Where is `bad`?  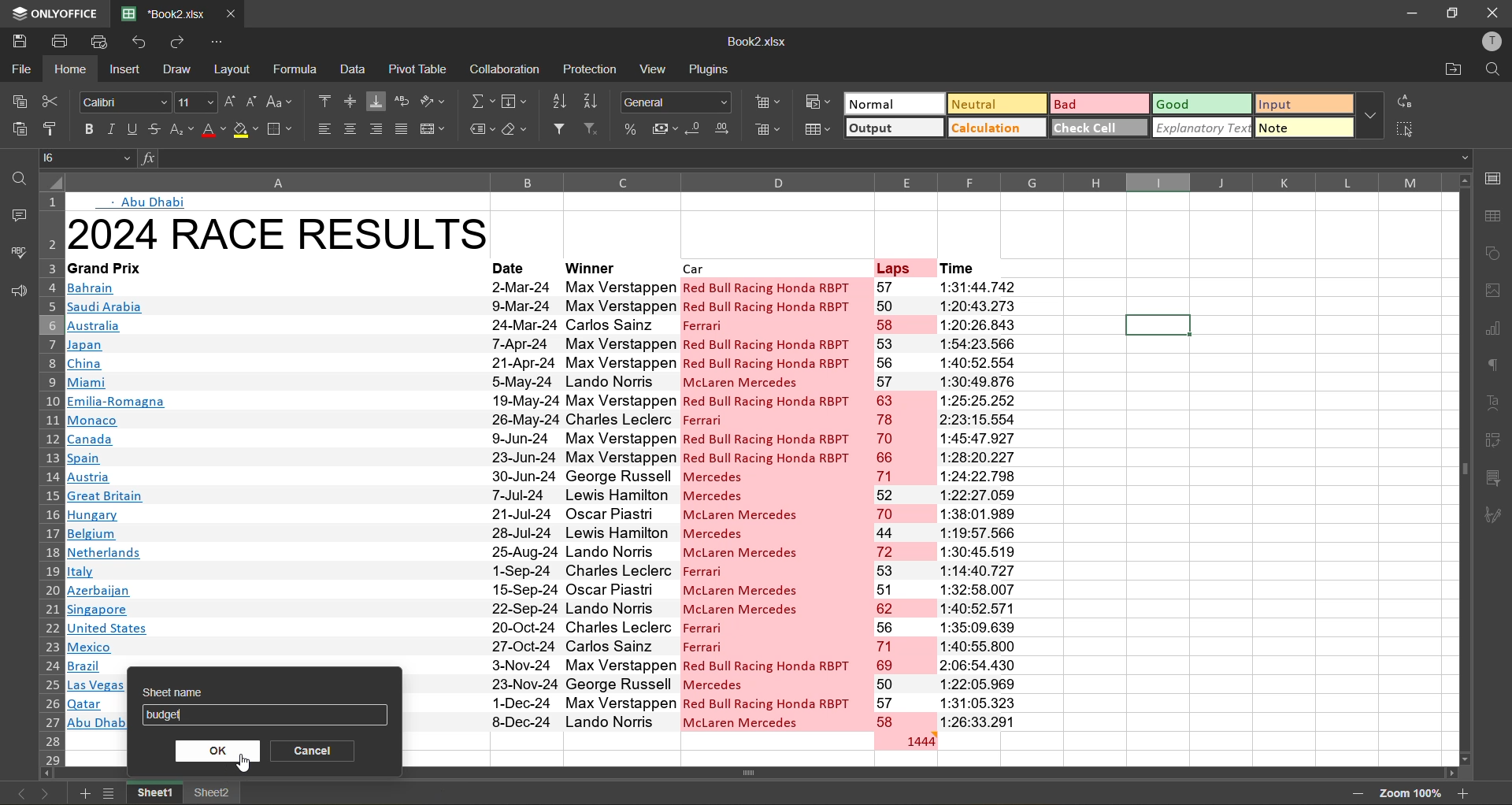 bad is located at coordinates (1096, 102).